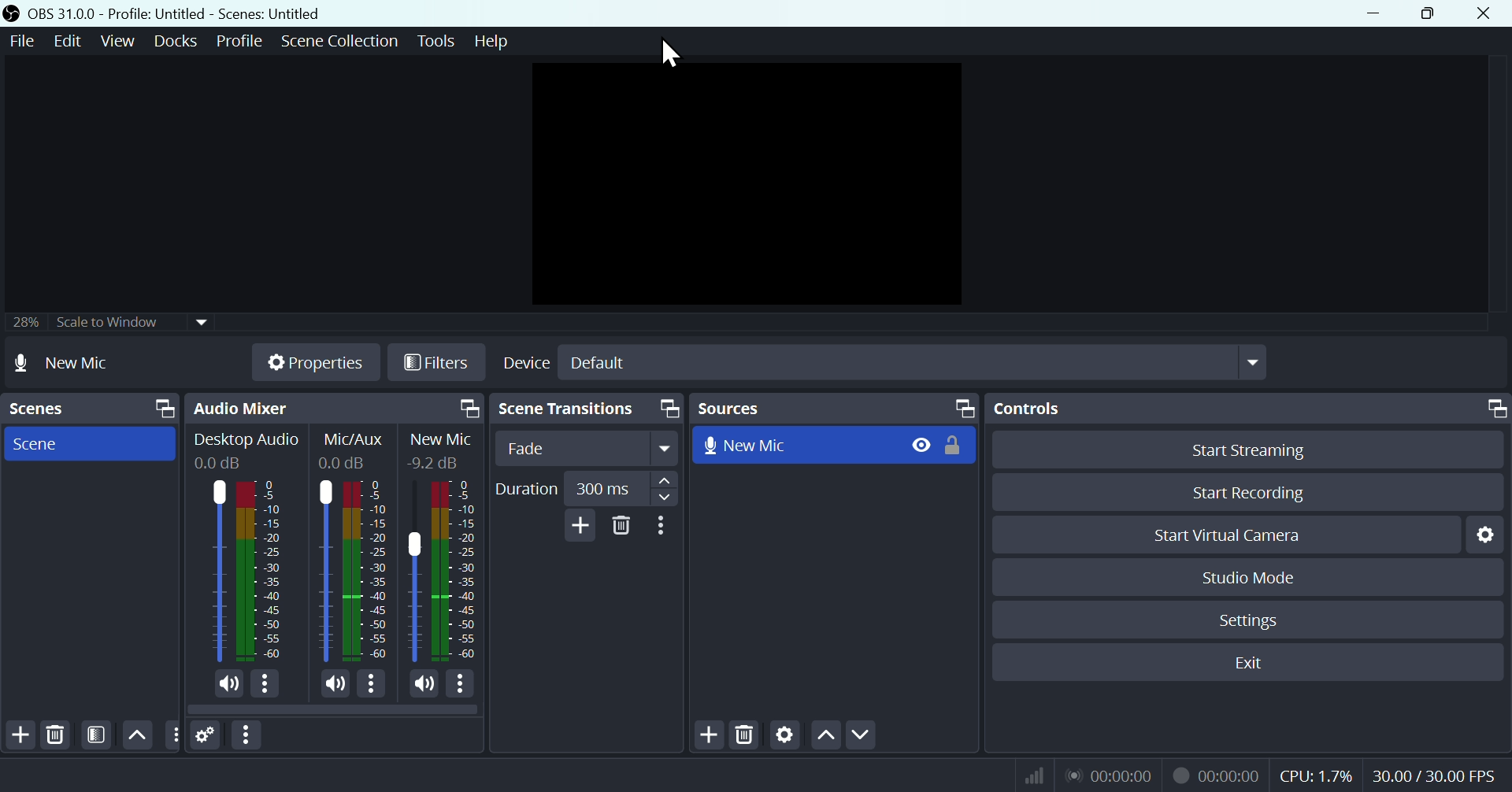  What do you see at coordinates (246, 441) in the screenshot?
I see `Desktop Audio` at bounding box center [246, 441].